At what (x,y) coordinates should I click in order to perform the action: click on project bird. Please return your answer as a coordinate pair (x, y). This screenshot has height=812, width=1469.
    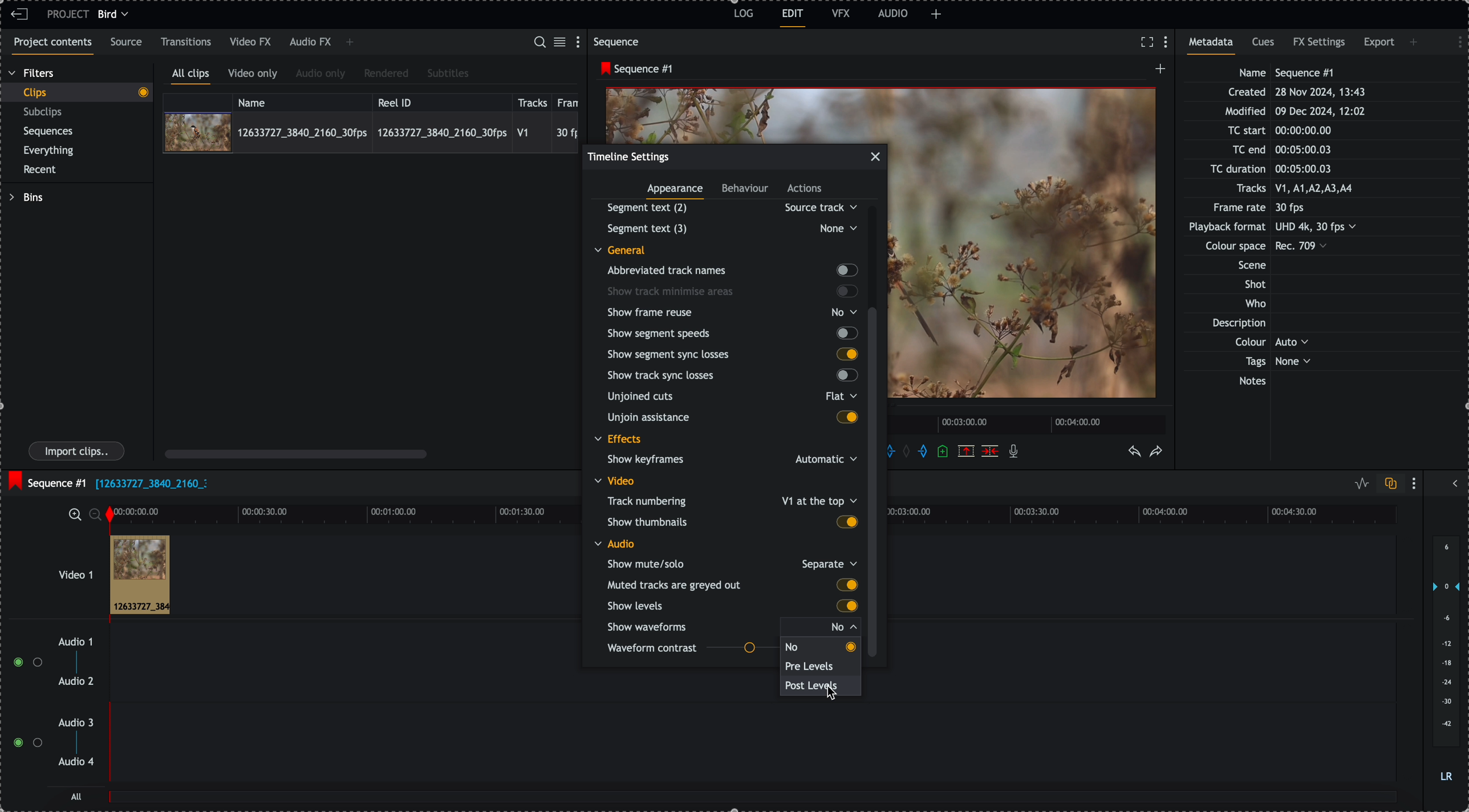
    Looking at the image, I should click on (91, 14).